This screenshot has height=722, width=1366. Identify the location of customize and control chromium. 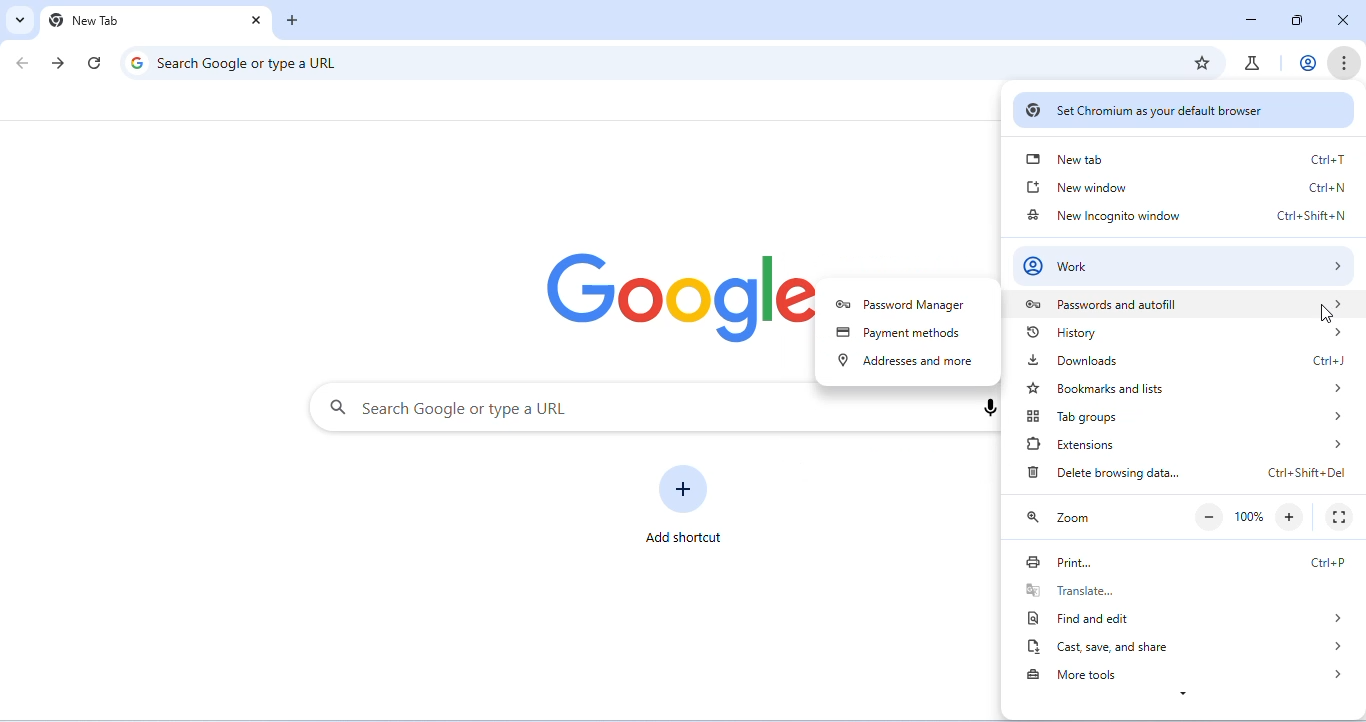
(1345, 64).